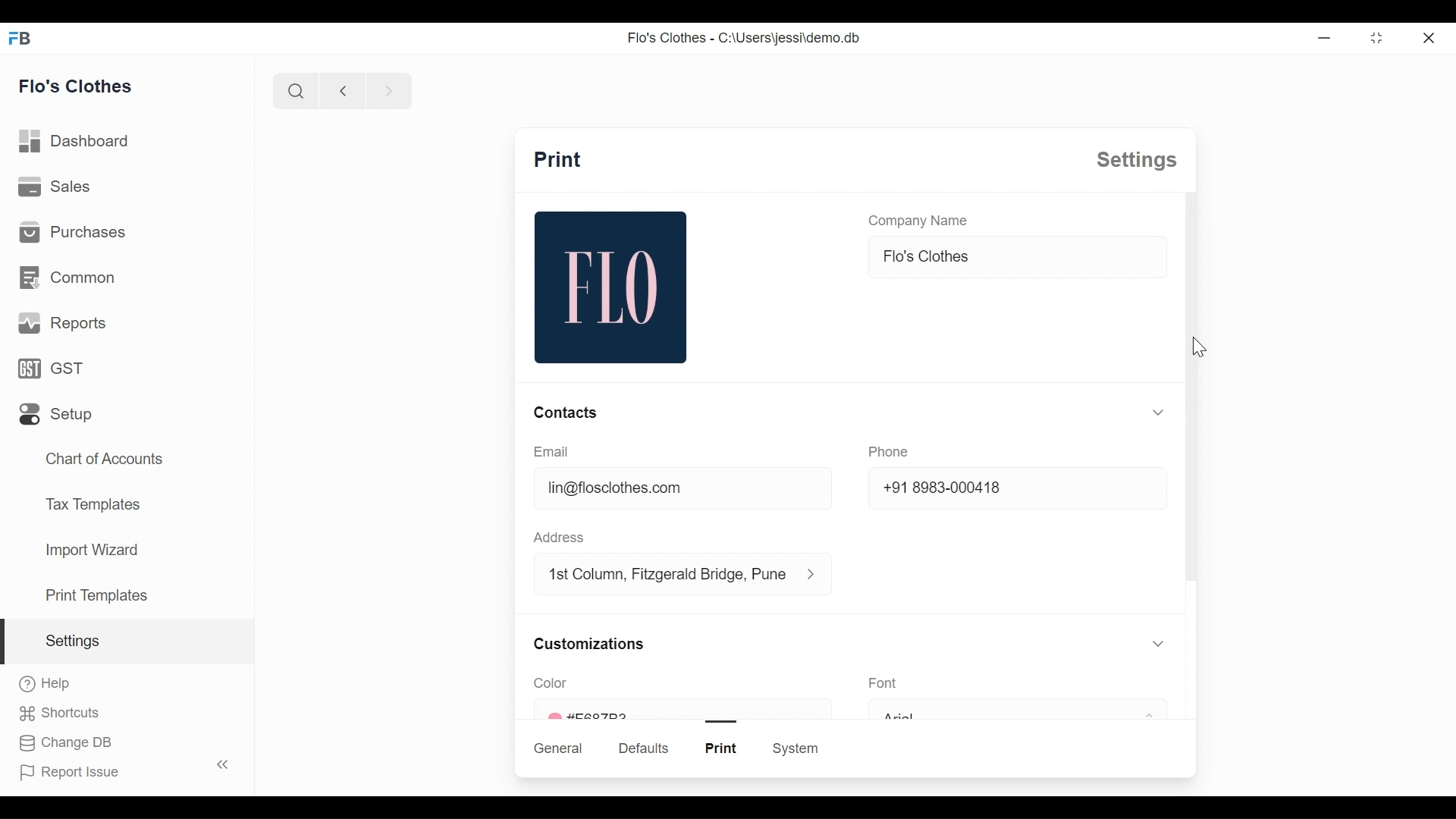  What do you see at coordinates (1428, 37) in the screenshot?
I see `close` at bounding box center [1428, 37].